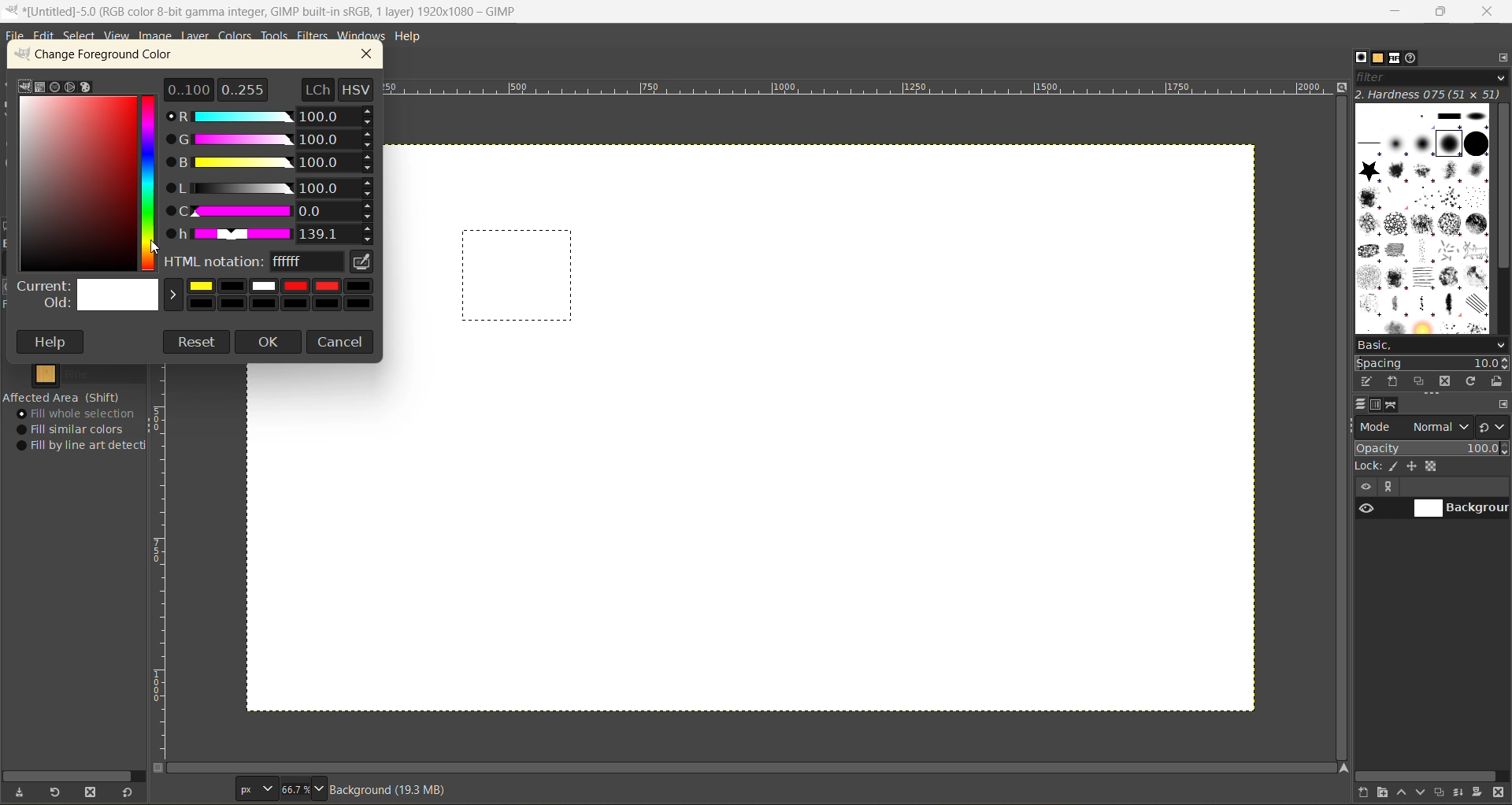  Describe the element at coordinates (273, 176) in the screenshot. I see `color scales` at that location.